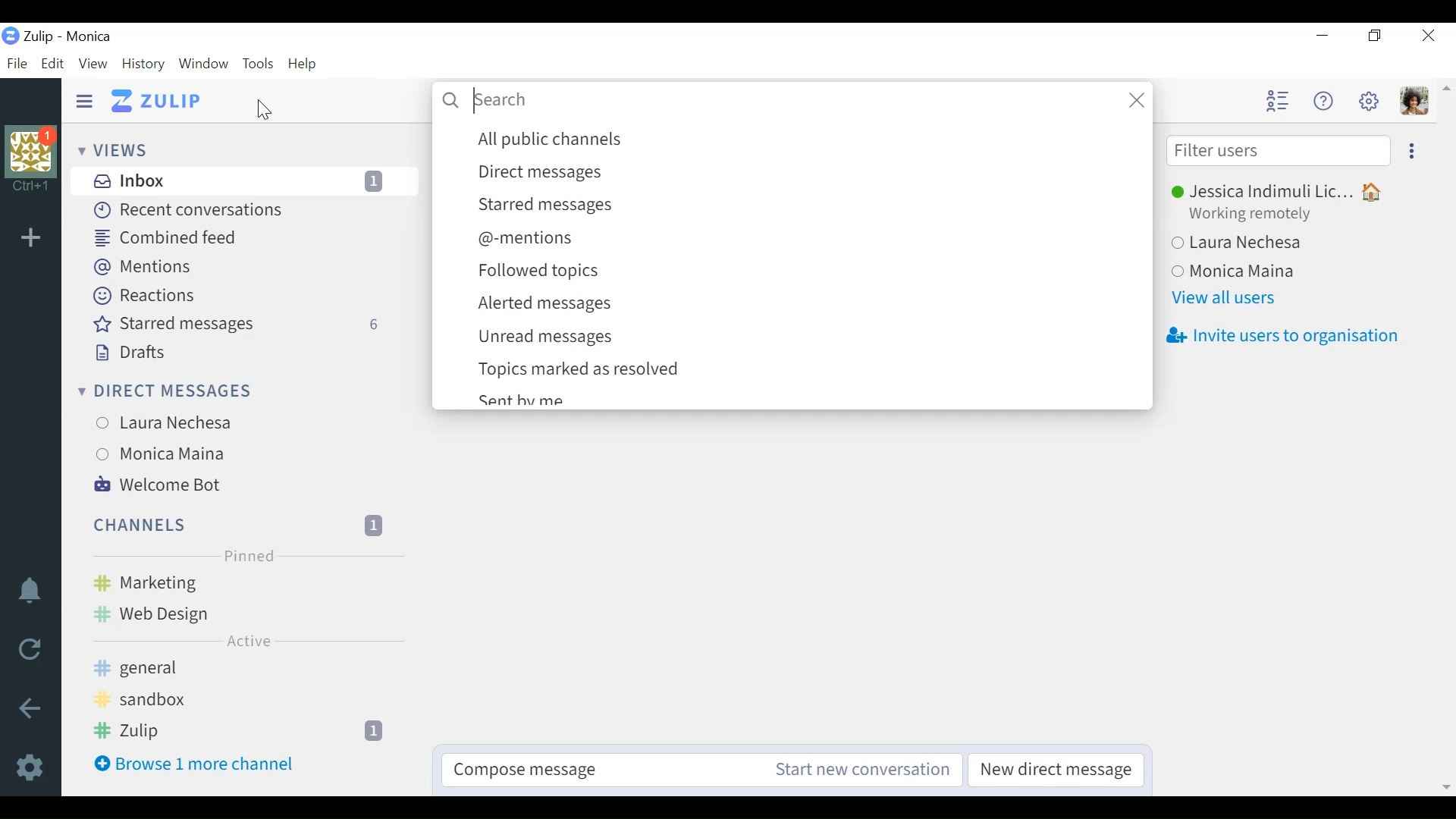 Image resolution: width=1456 pixels, height=819 pixels. Describe the element at coordinates (247, 702) in the screenshot. I see `channel` at that location.